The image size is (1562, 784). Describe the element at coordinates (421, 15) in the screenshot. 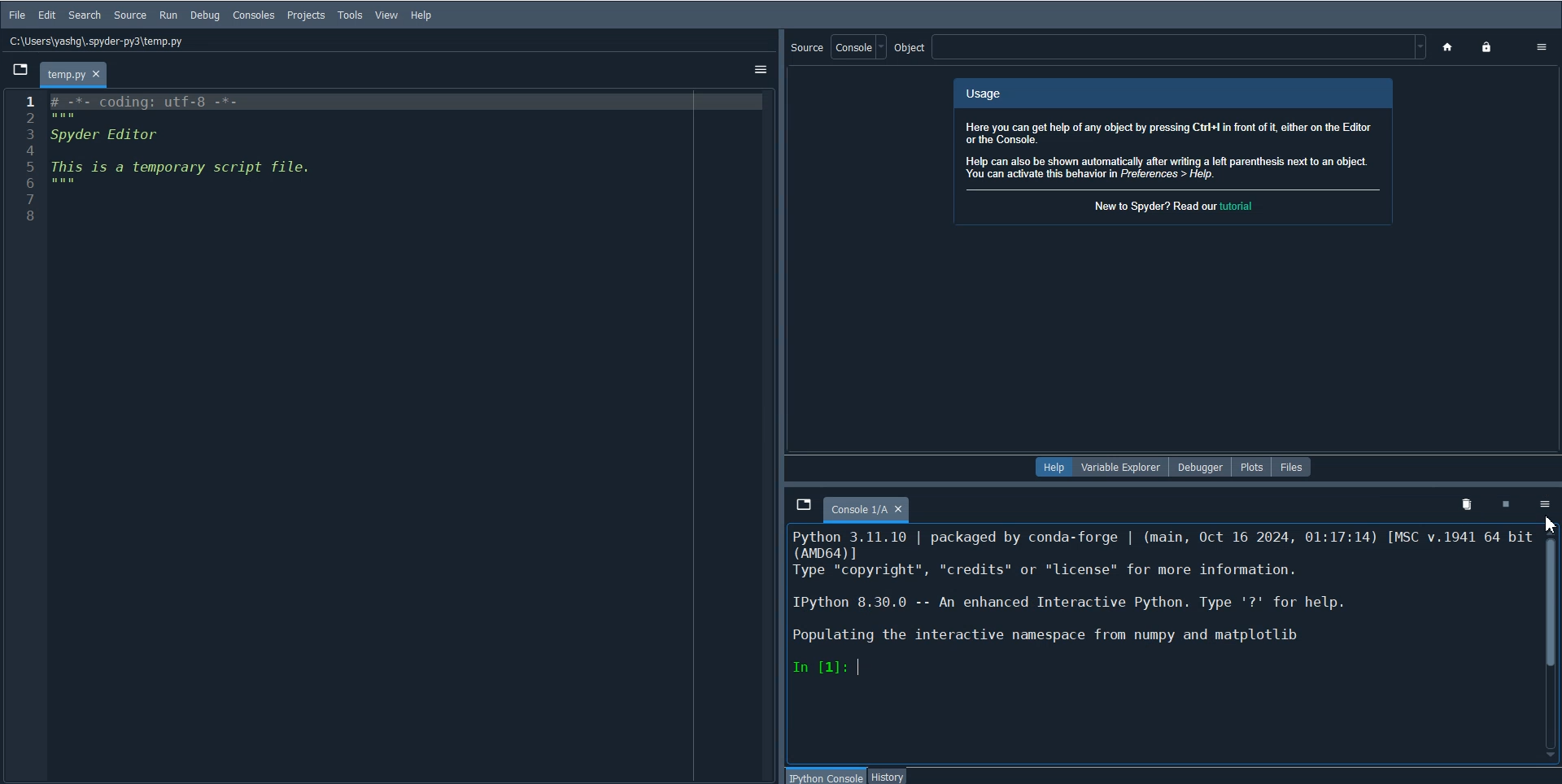

I see `Help` at that location.